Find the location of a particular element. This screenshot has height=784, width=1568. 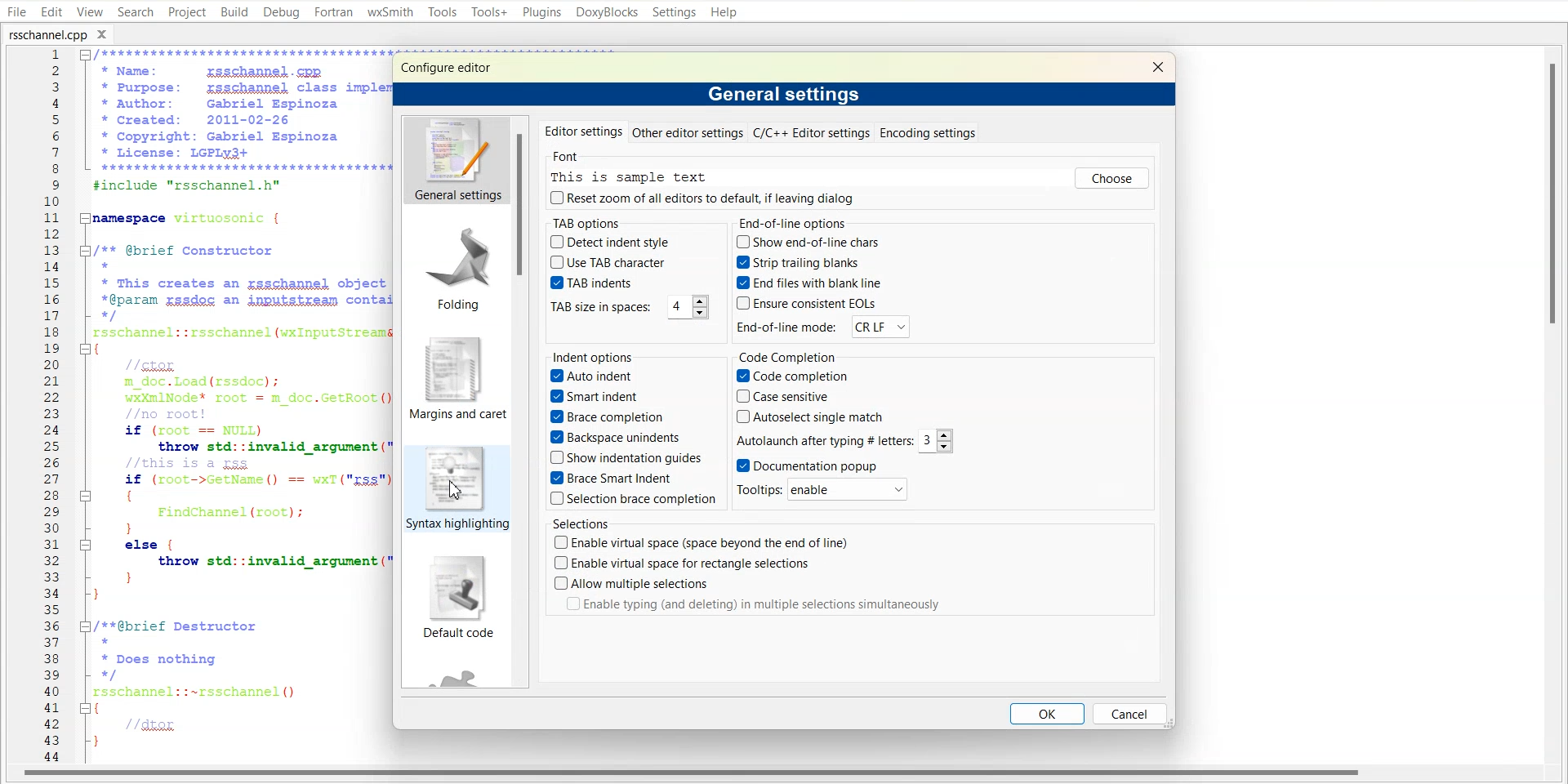

Reset zoom of all editor to default, if leaving dialog is located at coordinates (705, 200).